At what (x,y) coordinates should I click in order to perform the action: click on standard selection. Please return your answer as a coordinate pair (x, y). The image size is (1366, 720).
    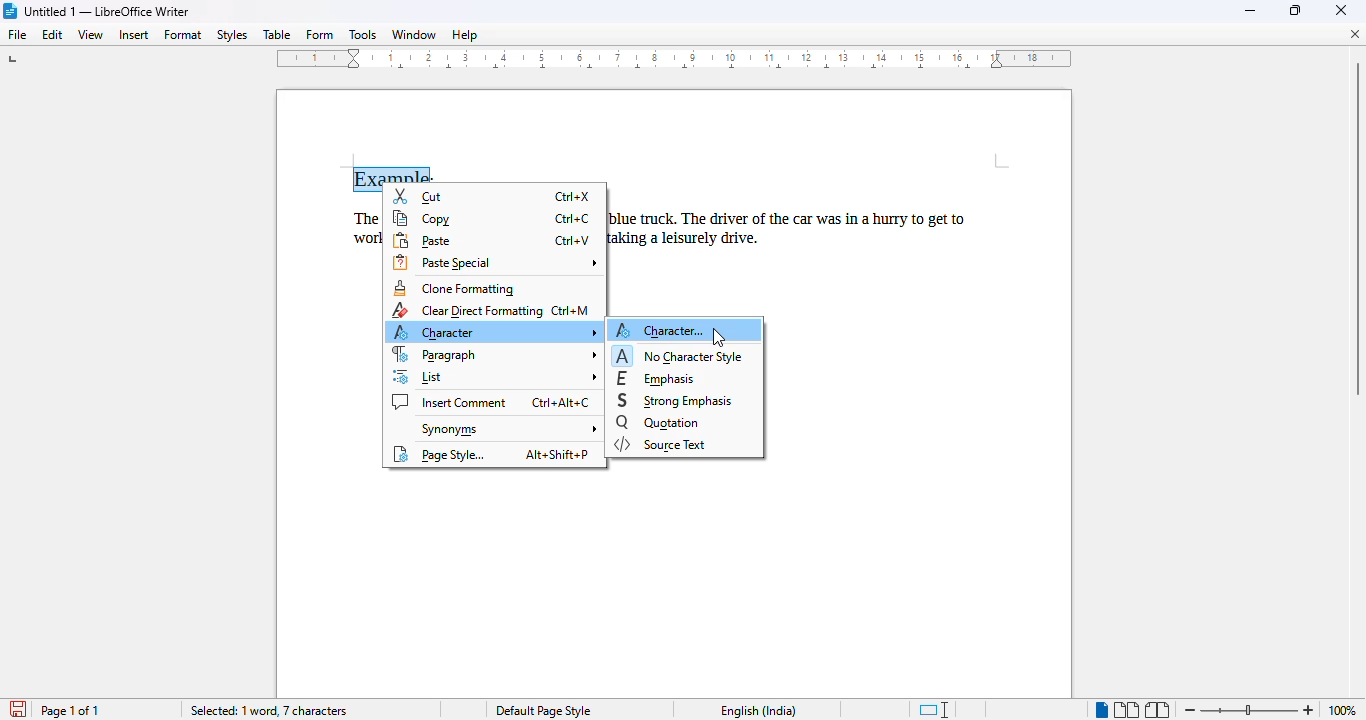
    Looking at the image, I should click on (933, 710).